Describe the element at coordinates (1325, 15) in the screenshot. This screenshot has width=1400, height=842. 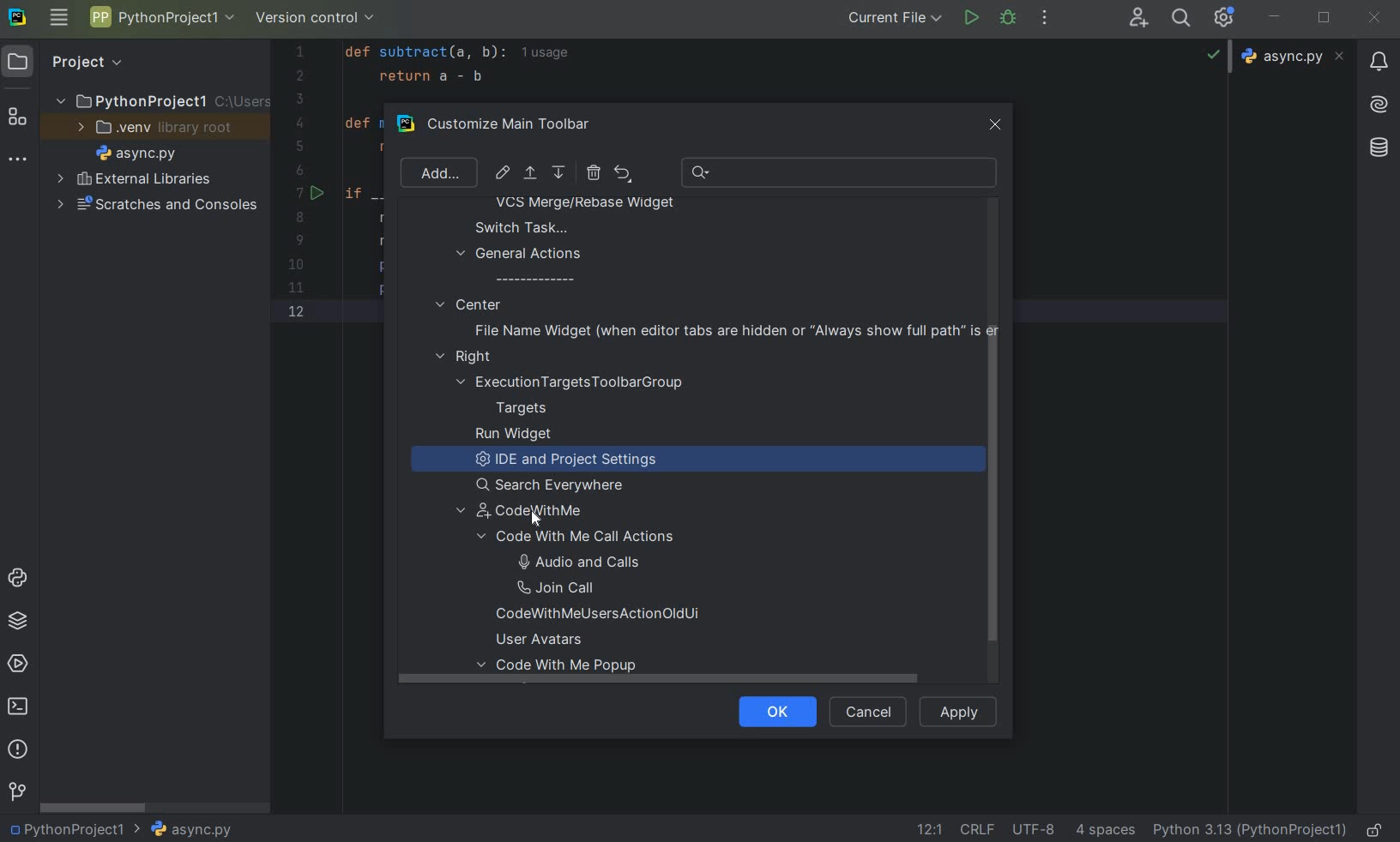
I see `RESTORE DOWN` at that location.